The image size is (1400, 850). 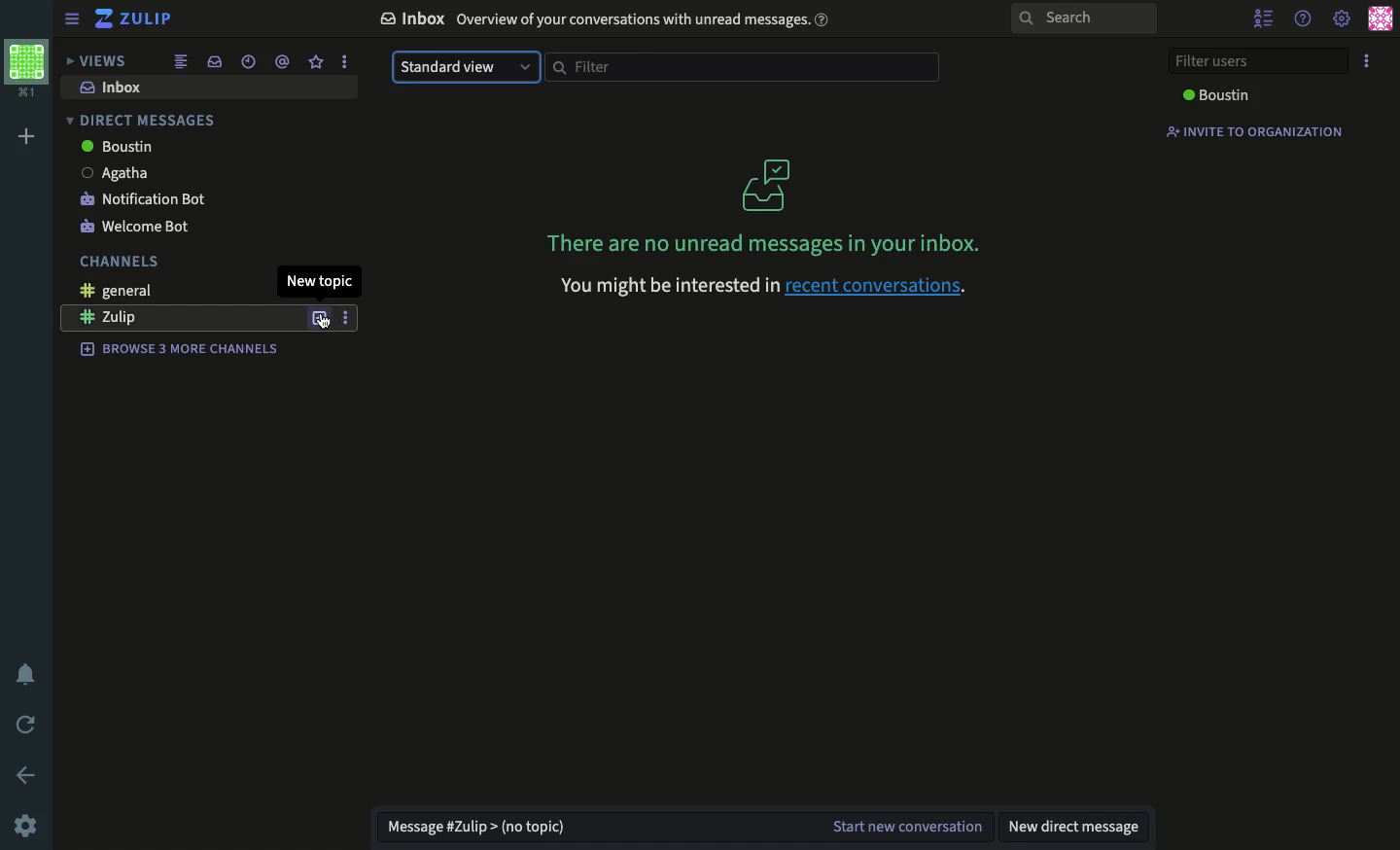 What do you see at coordinates (1266, 18) in the screenshot?
I see `hide user list ` at bounding box center [1266, 18].